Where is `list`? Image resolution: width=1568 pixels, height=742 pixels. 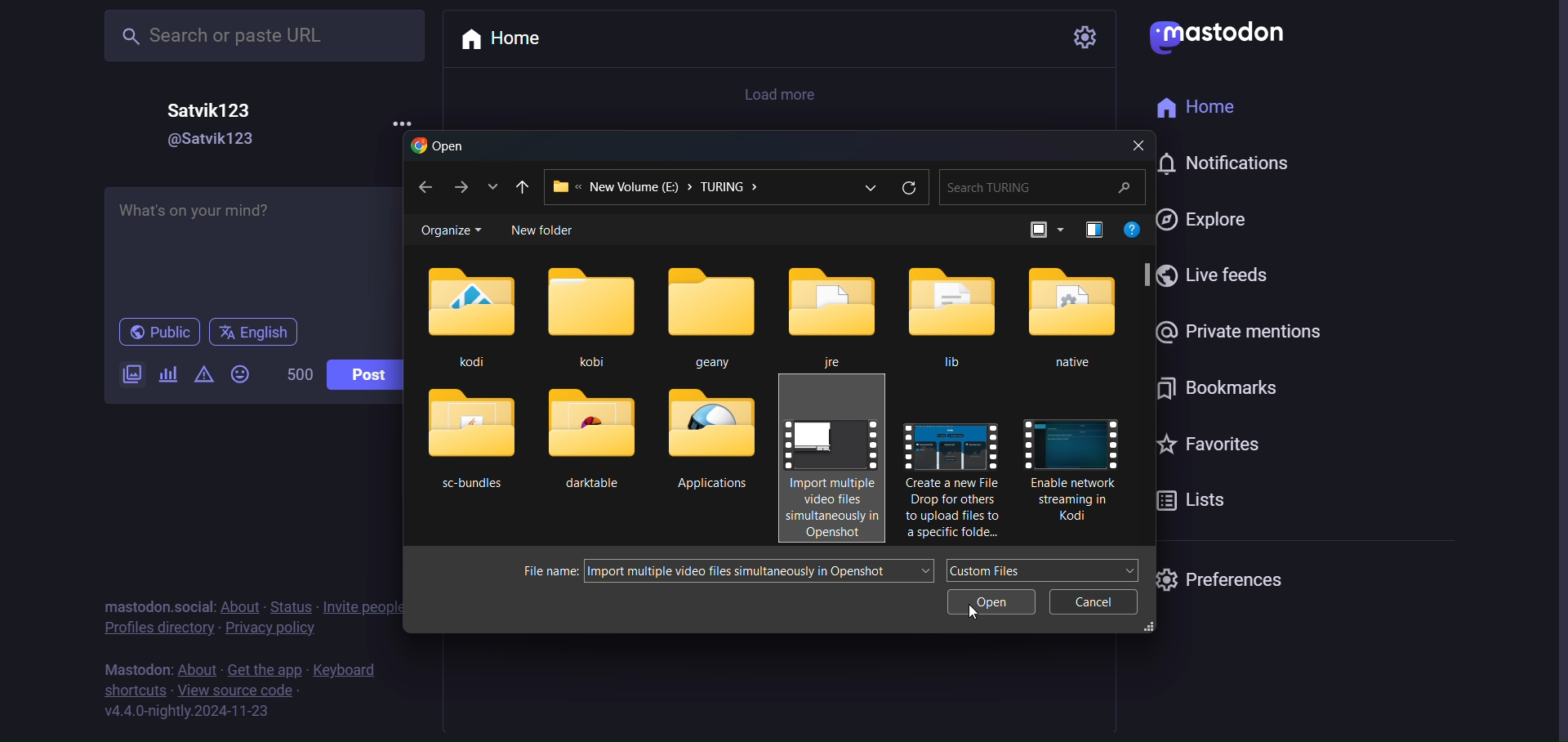
list is located at coordinates (492, 185).